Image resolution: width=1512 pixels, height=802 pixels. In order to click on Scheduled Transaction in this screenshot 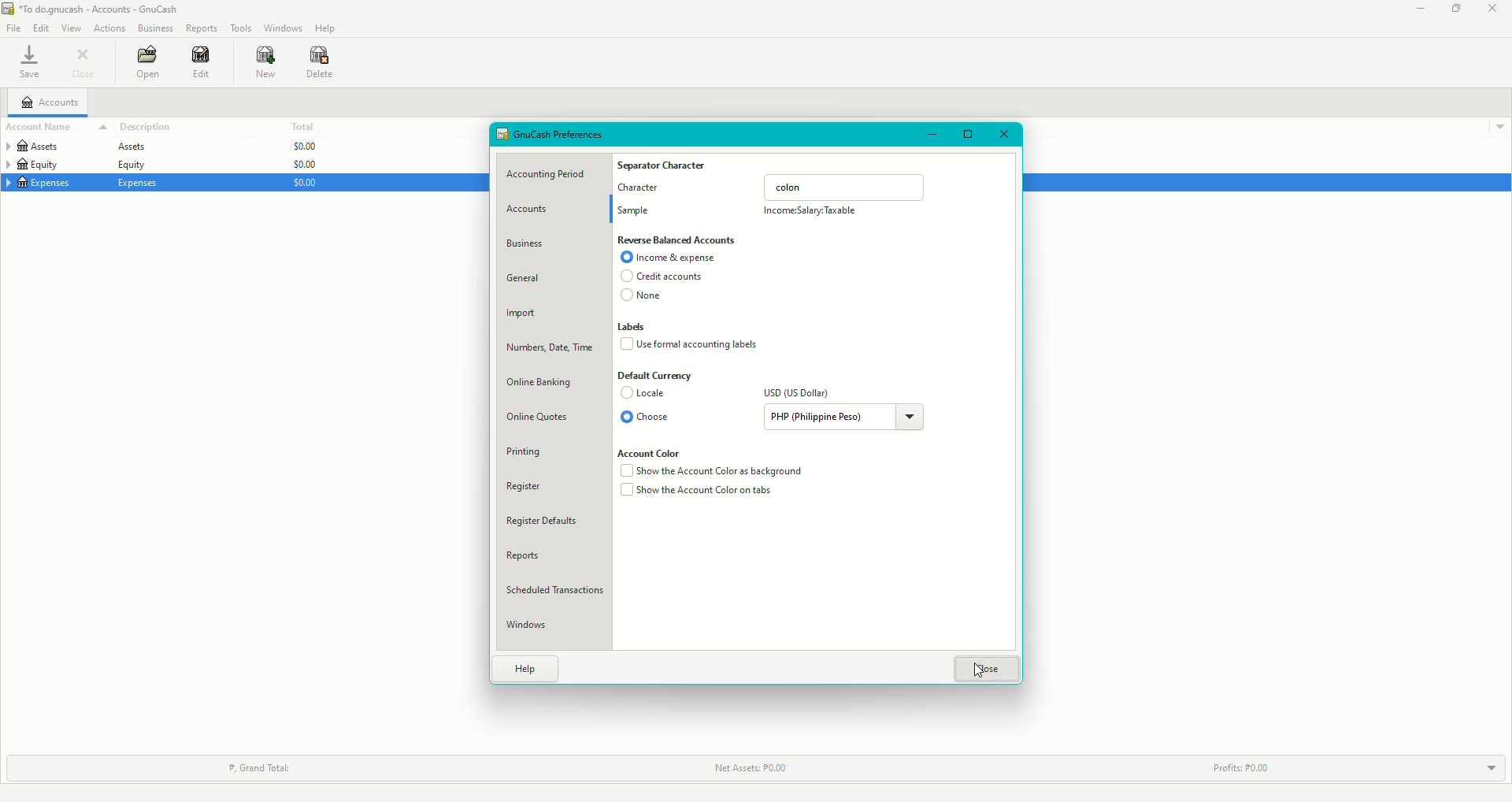, I will do `click(558, 592)`.